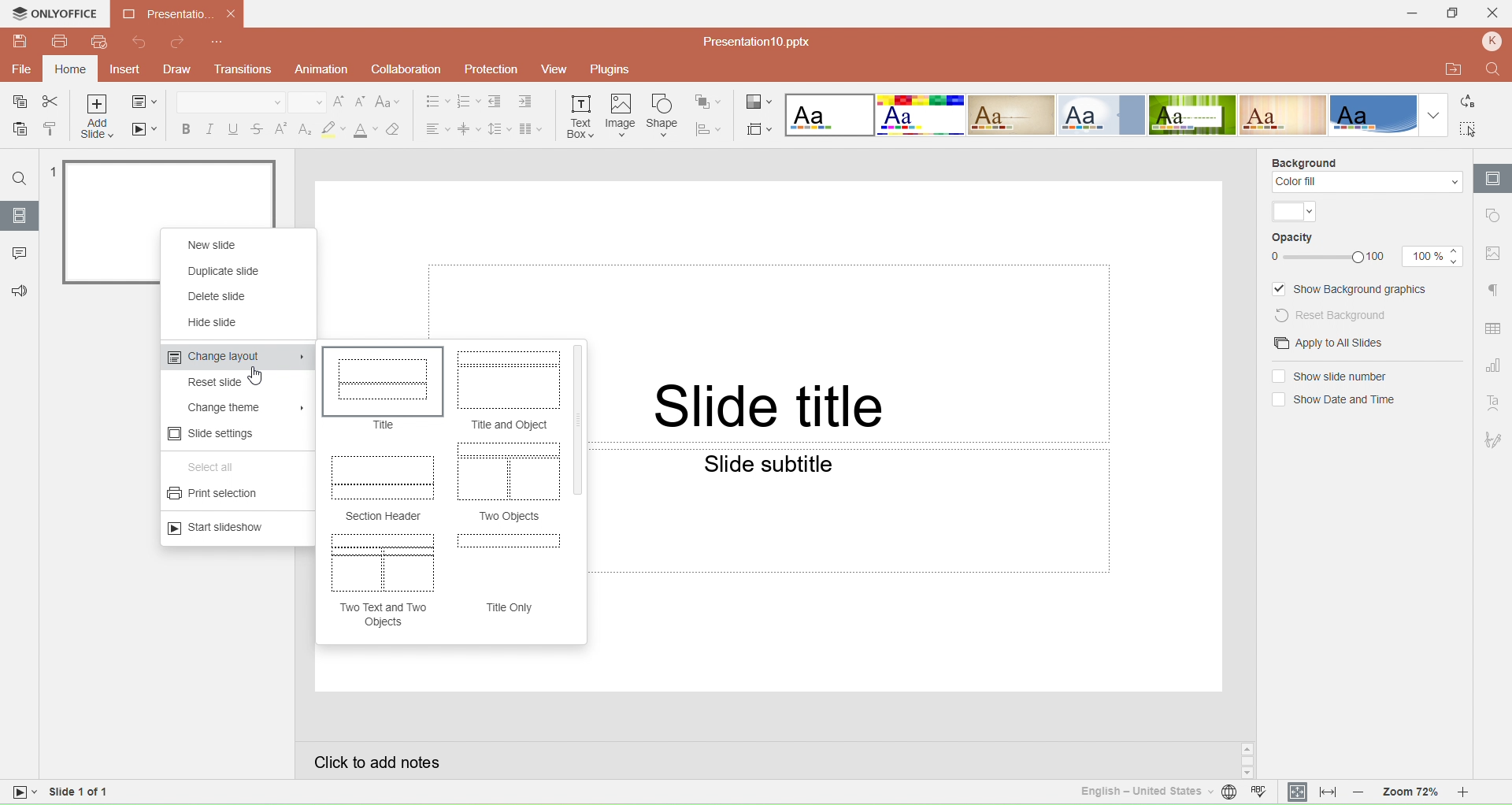 This screenshot has height=805, width=1512. Describe the element at coordinates (468, 102) in the screenshot. I see `Numbering` at that location.